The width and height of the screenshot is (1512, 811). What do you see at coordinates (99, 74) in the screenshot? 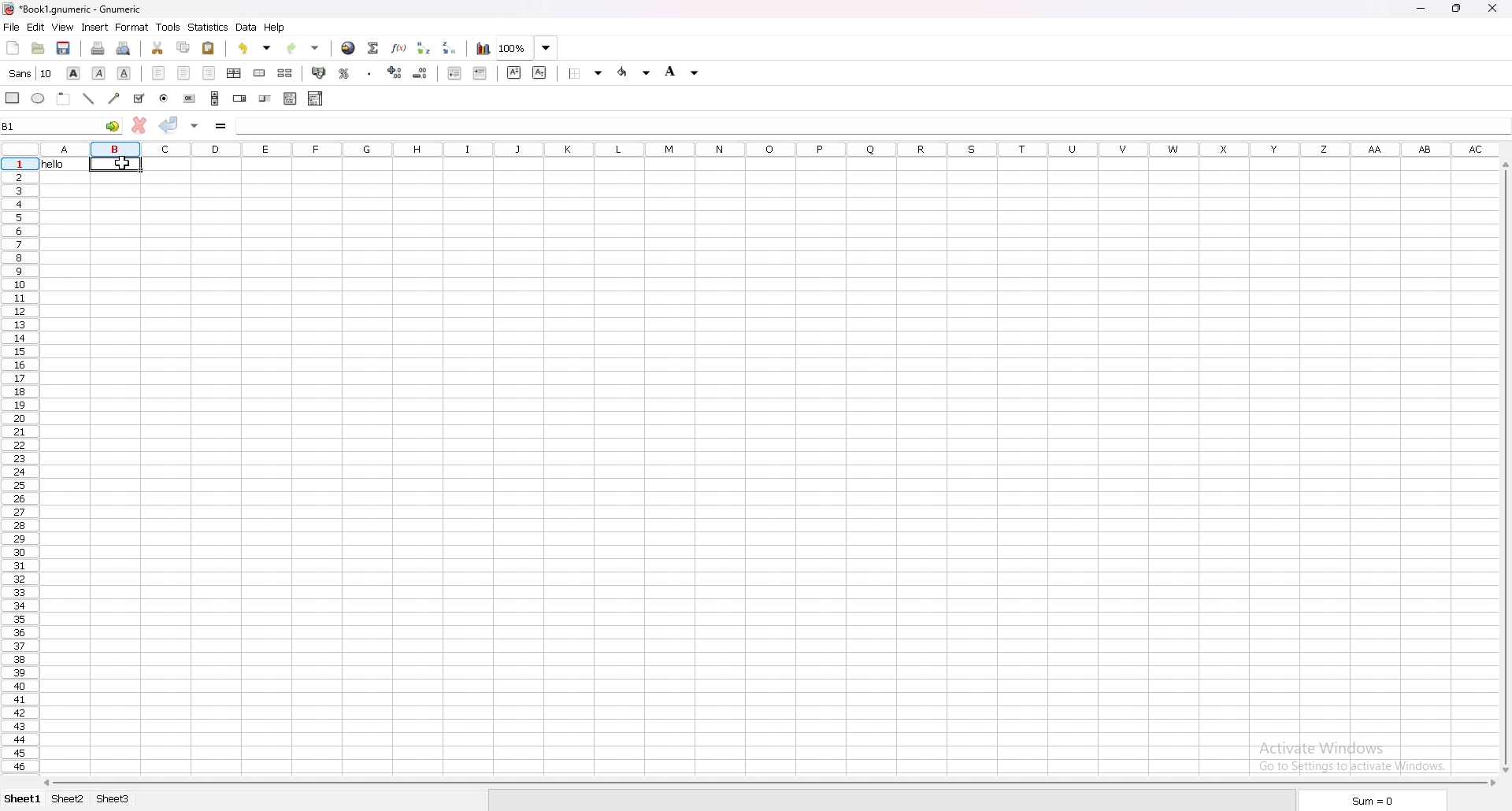
I see `italic` at bounding box center [99, 74].